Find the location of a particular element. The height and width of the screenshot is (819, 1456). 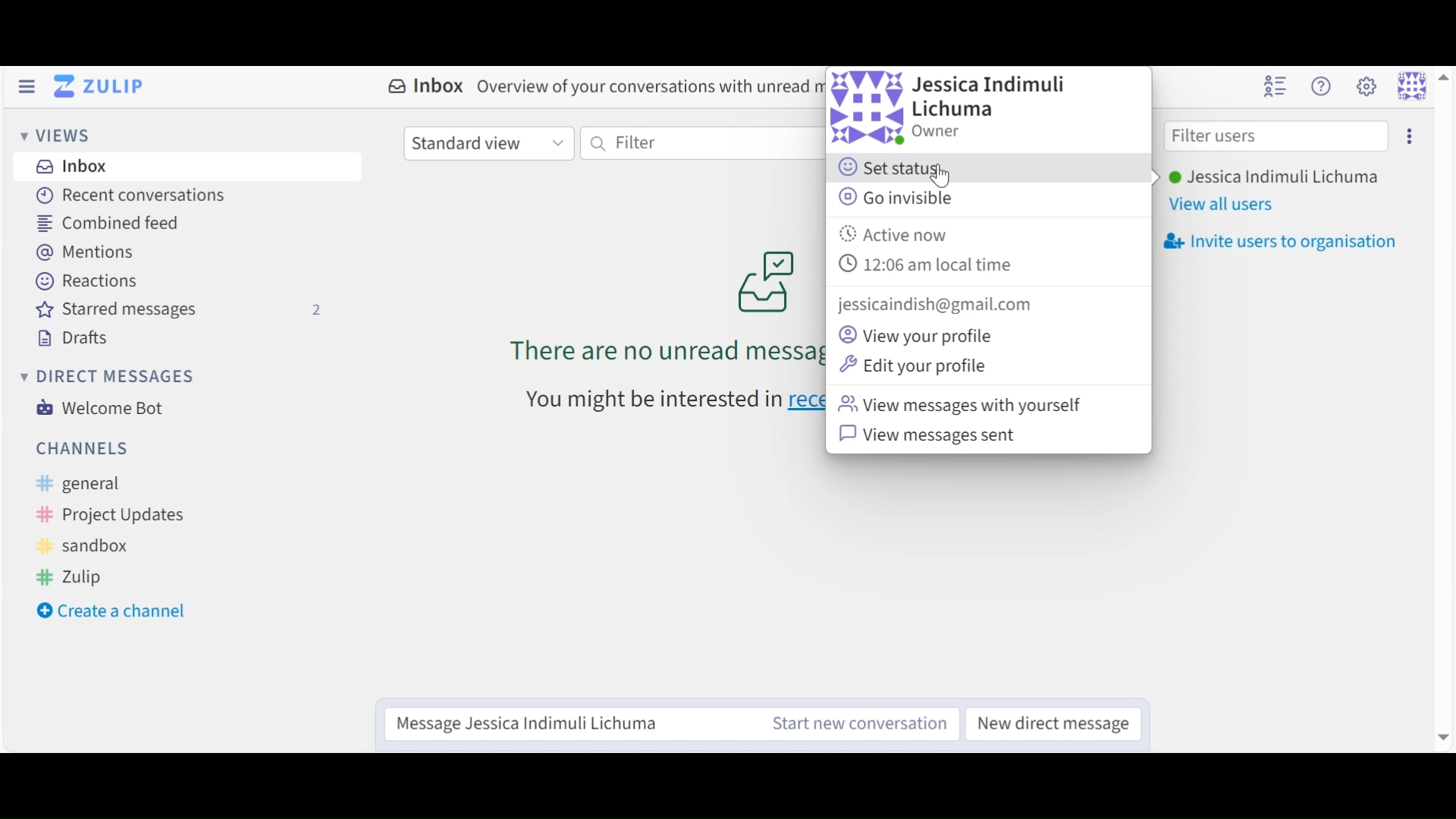

Hide Status is located at coordinates (26, 86).